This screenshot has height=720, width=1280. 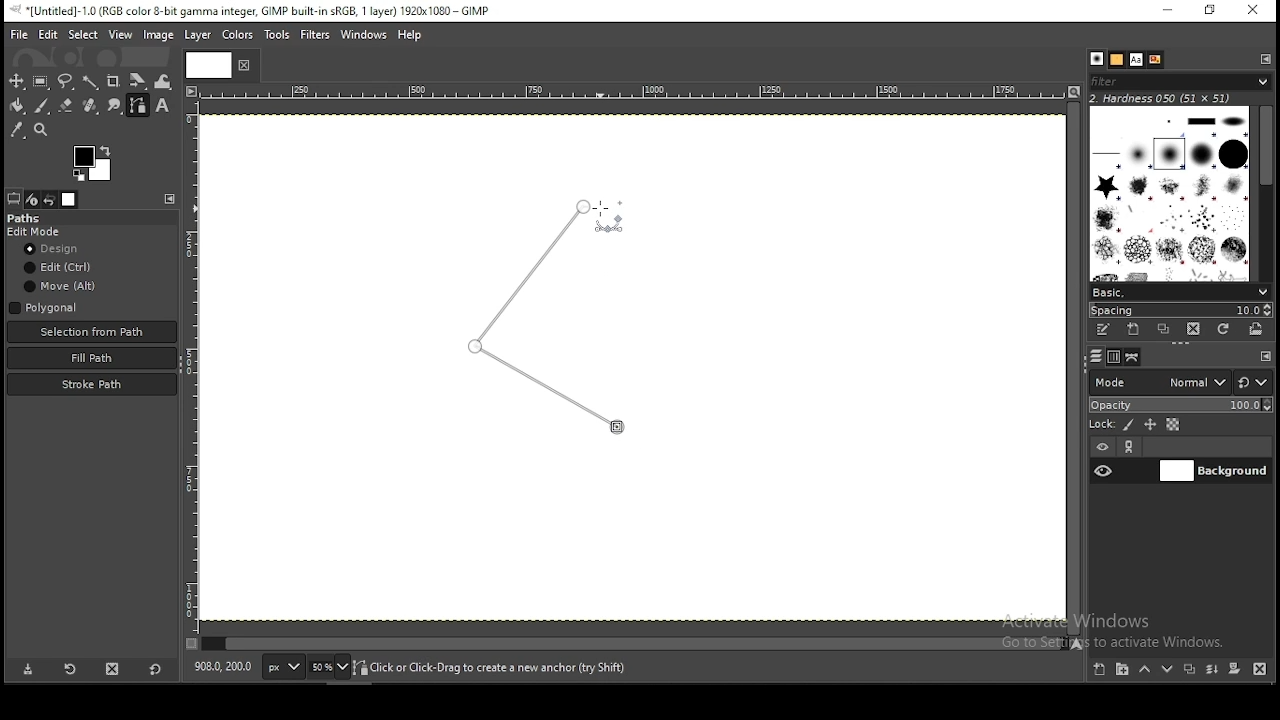 I want to click on create a new layer, so click(x=1099, y=670).